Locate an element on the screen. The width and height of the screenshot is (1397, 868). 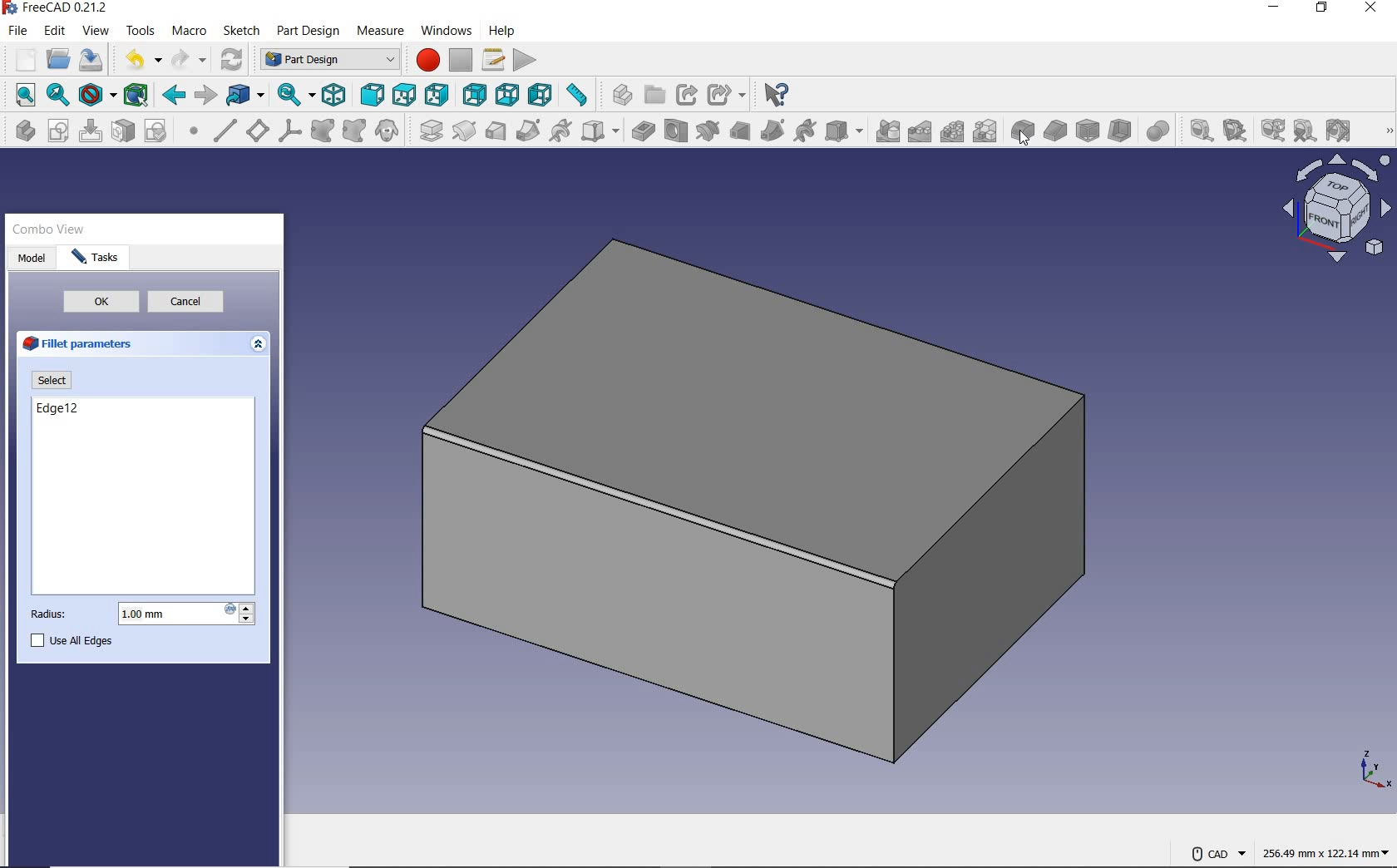
sync view is located at coordinates (295, 94).